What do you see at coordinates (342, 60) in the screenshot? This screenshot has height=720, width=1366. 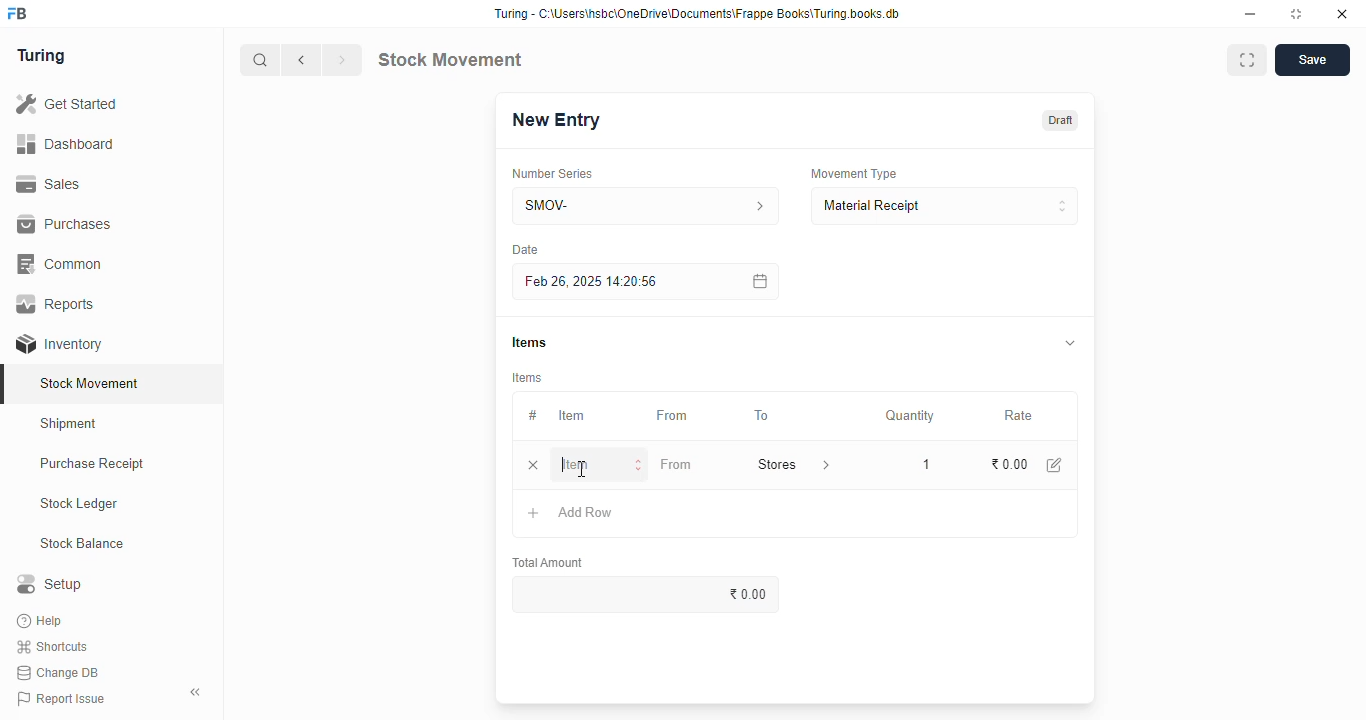 I see `next` at bounding box center [342, 60].